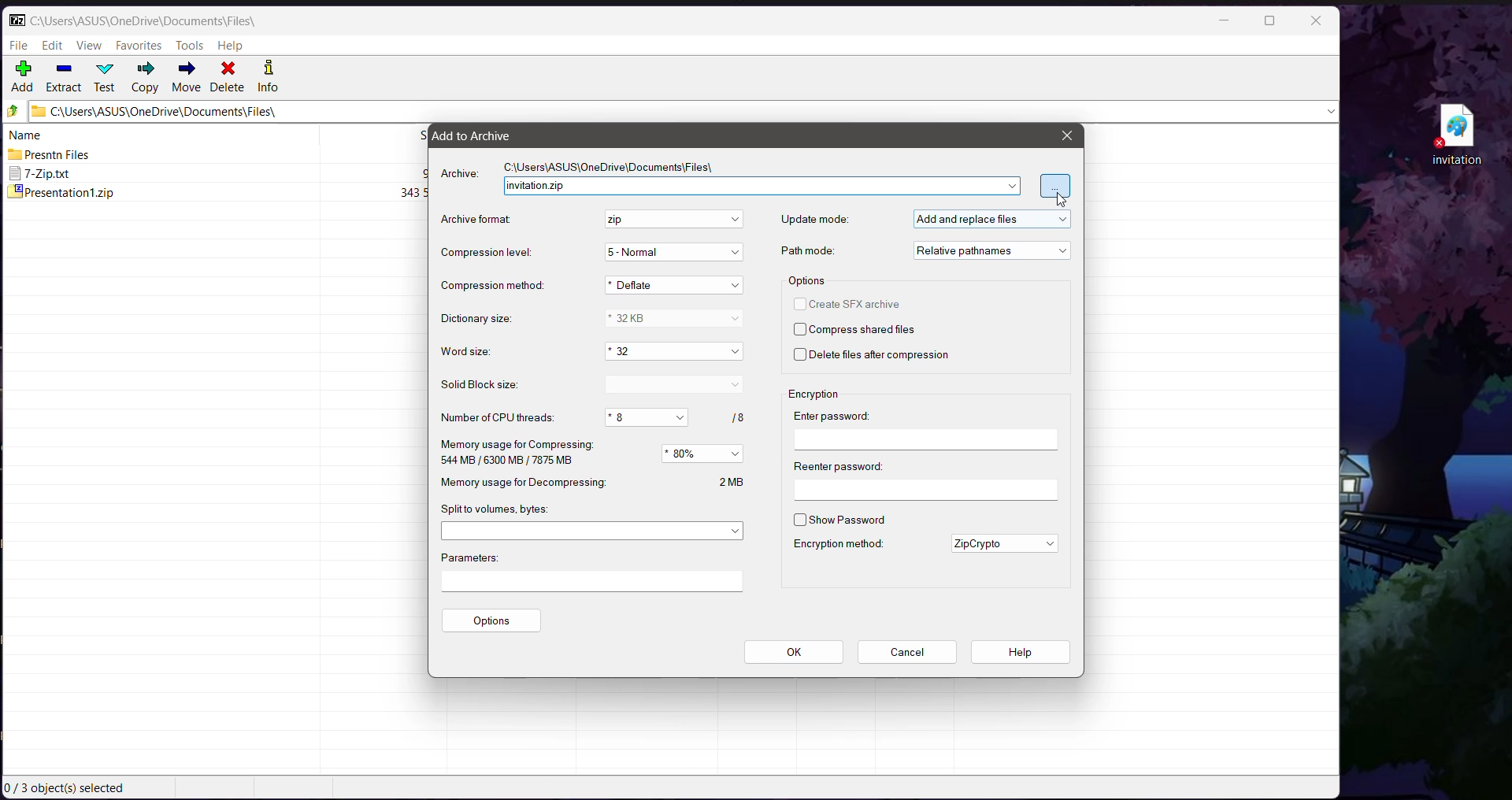  I want to click on Set the Update mode, so click(991, 217).